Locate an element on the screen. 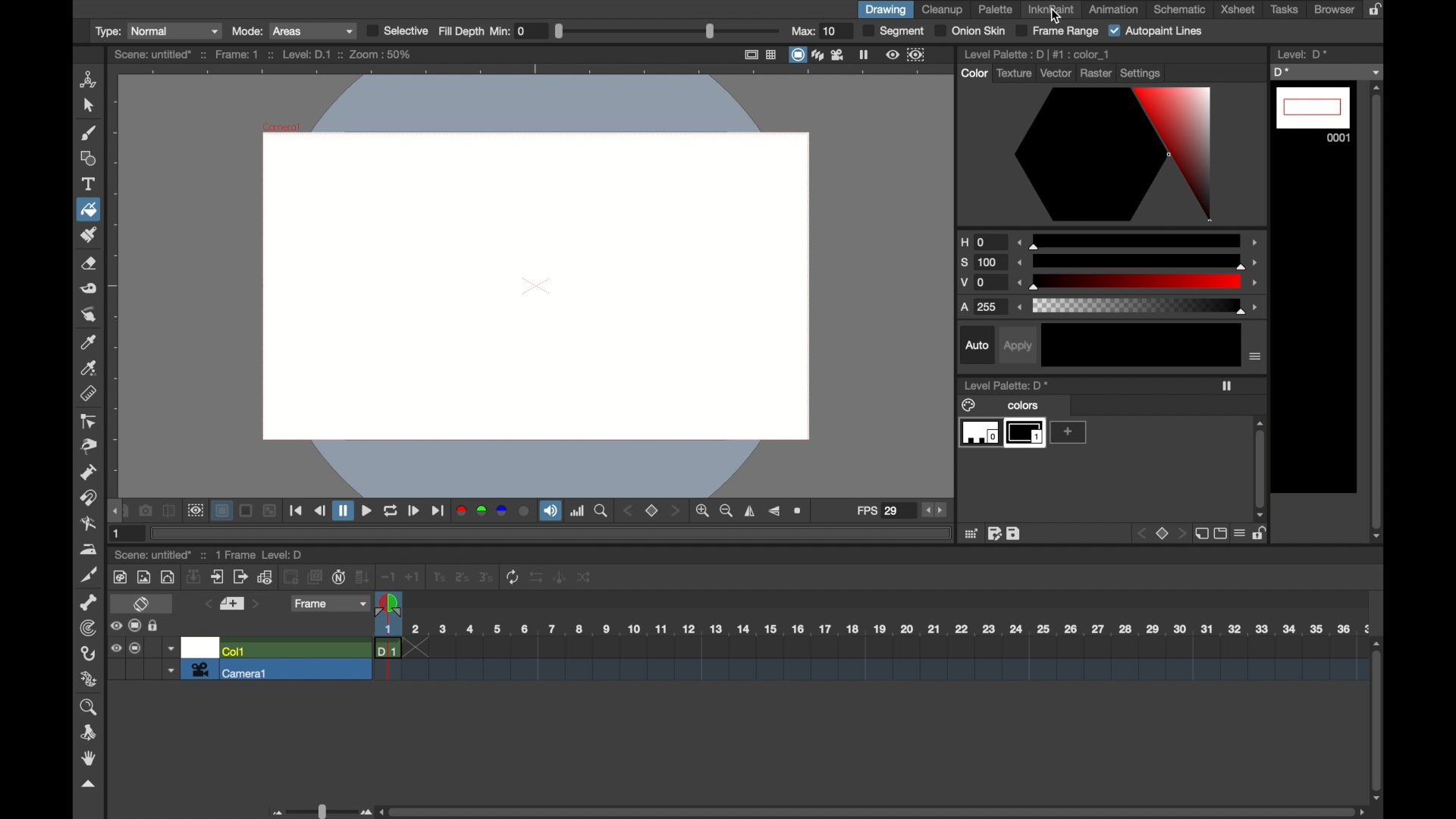 The width and height of the screenshot is (1456, 819). D is located at coordinates (1327, 71).